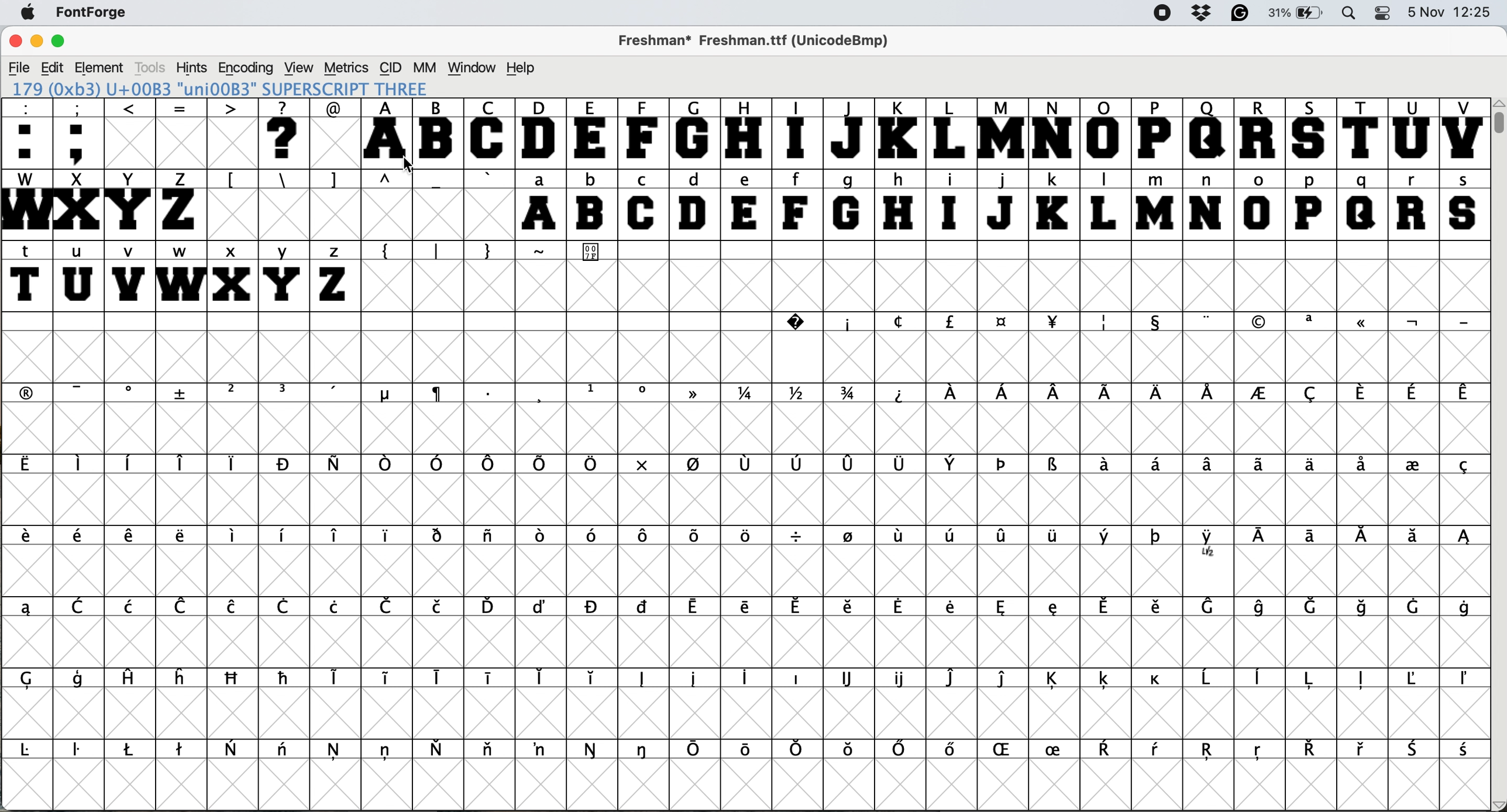 Image resolution: width=1507 pixels, height=812 pixels. Describe the element at coordinates (222, 88) in the screenshot. I see `179 (0xb3) U+00B3 "uniO0B3" SUPERSCRIPT THREE` at that location.